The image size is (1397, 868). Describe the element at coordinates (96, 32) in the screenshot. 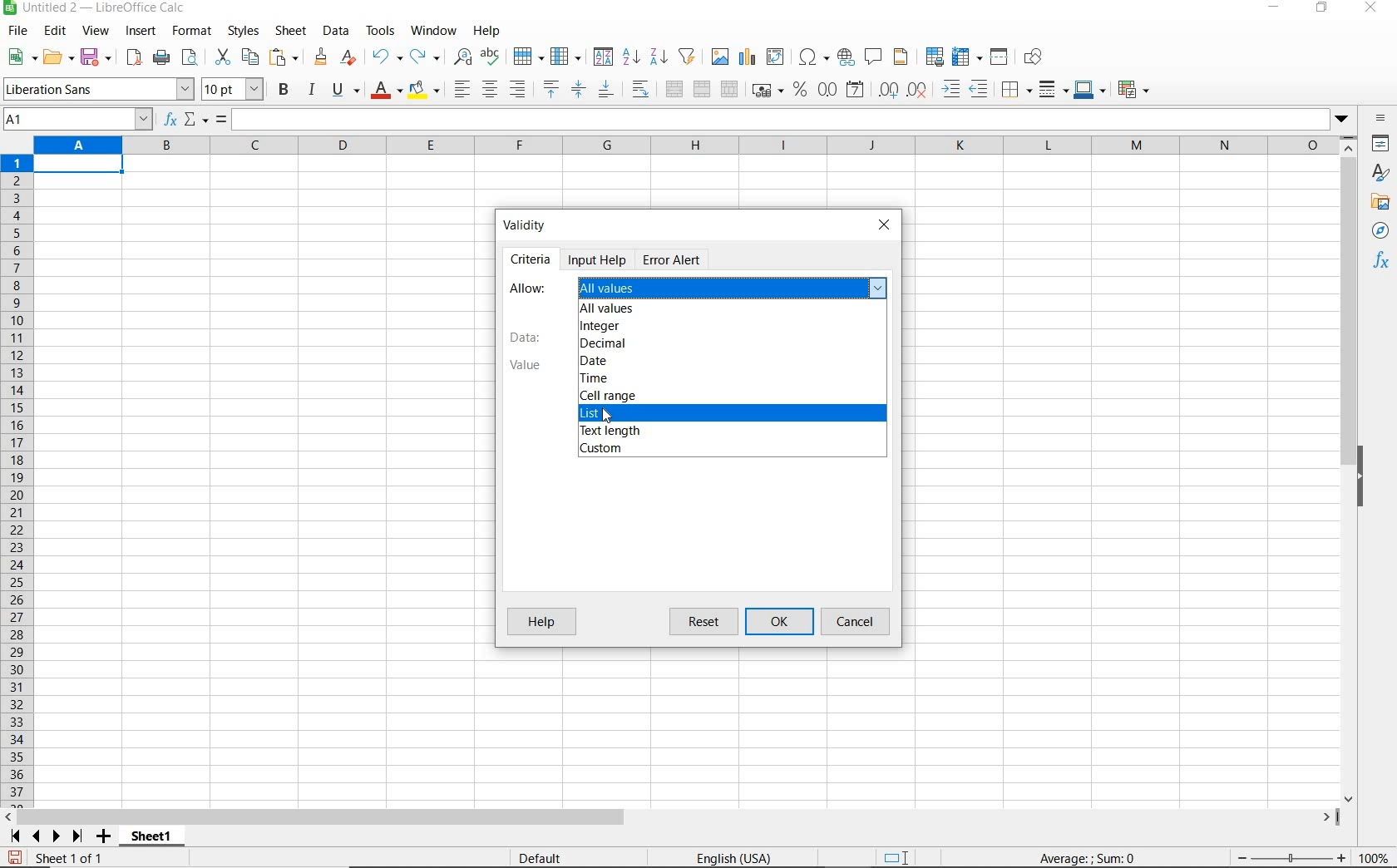

I see `view` at that location.